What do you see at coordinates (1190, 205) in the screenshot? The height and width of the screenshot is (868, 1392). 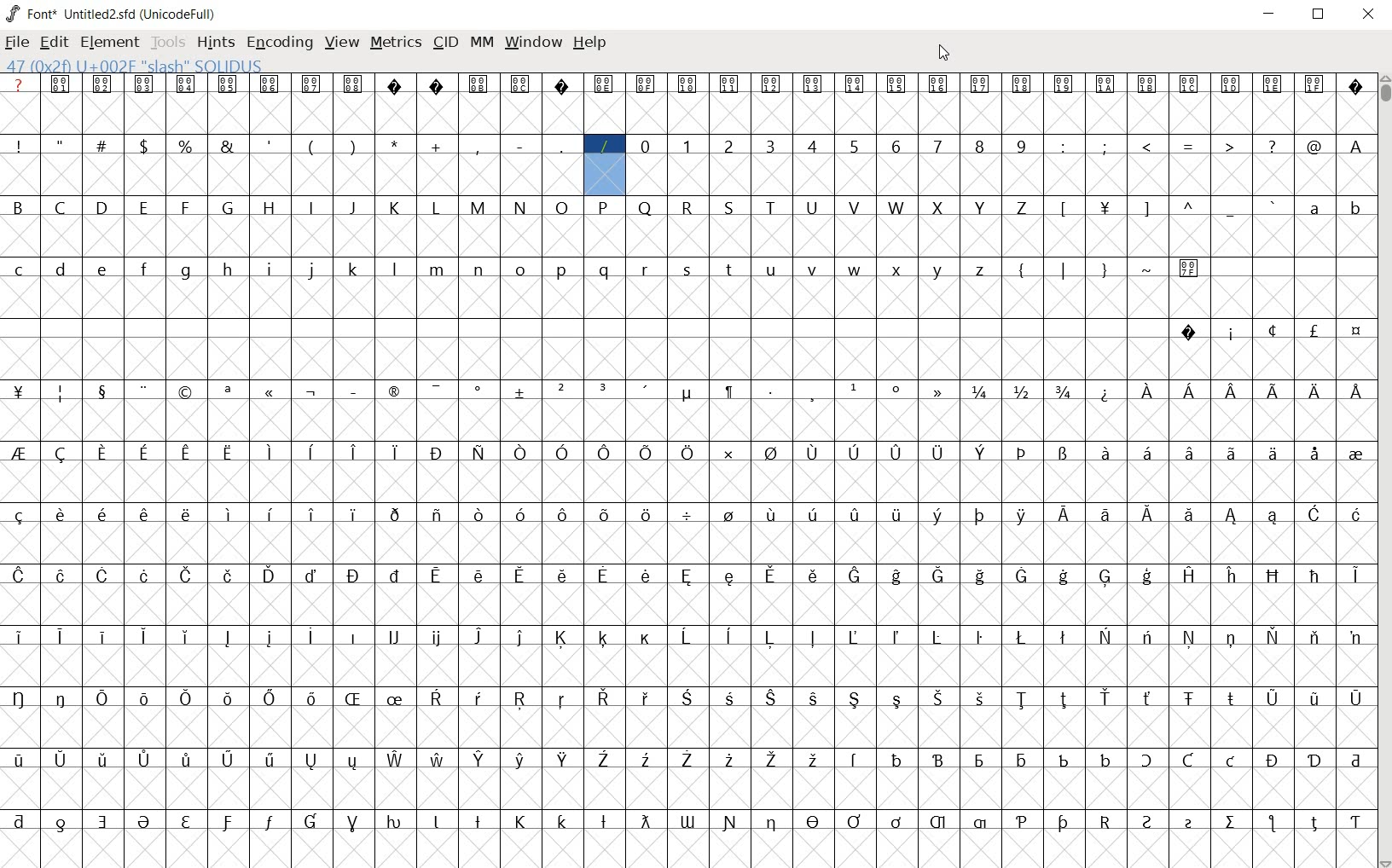 I see `glyph` at bounding box center [1190, 205].